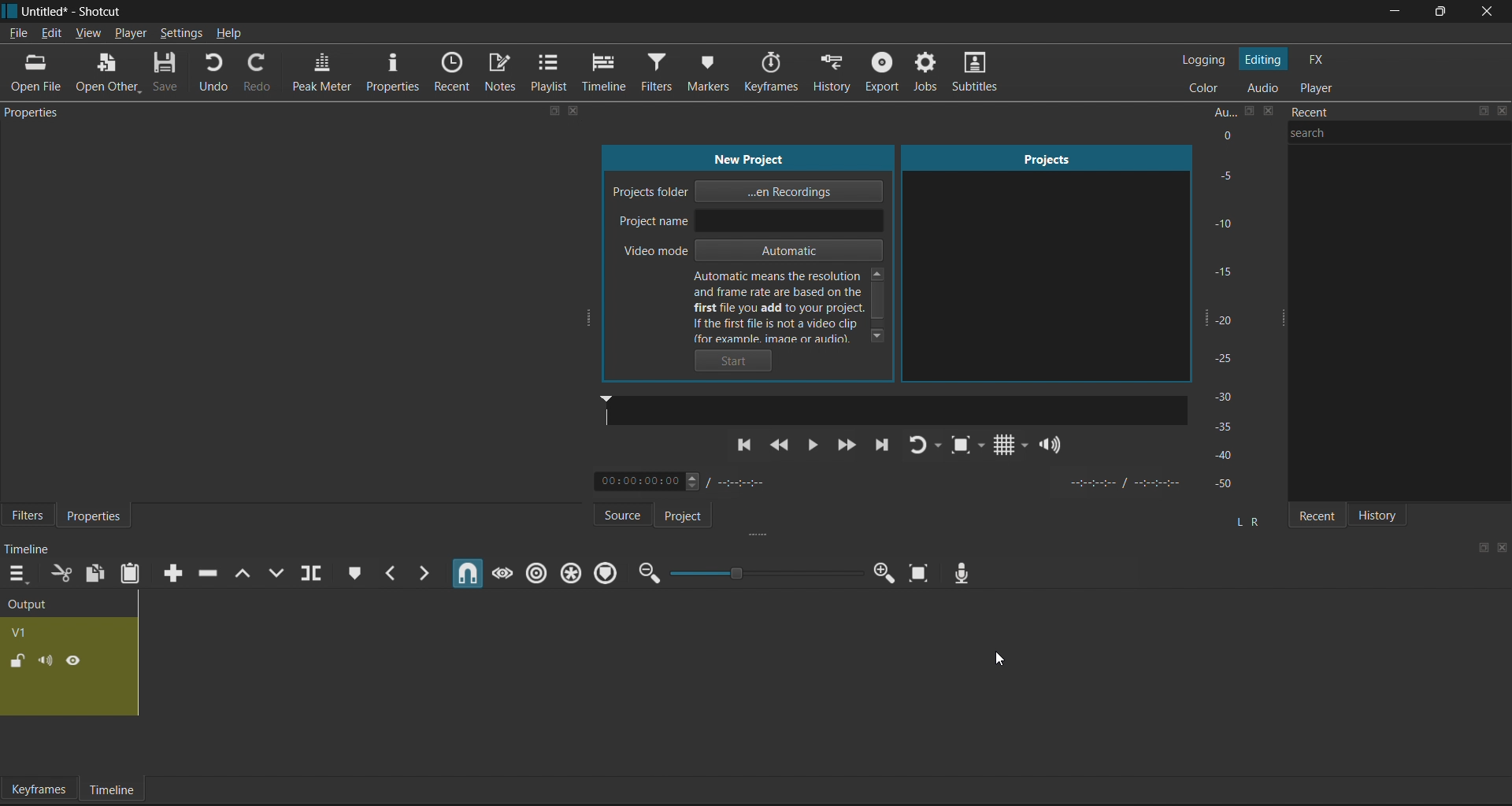  I want to click on Next, so click(883, 448).